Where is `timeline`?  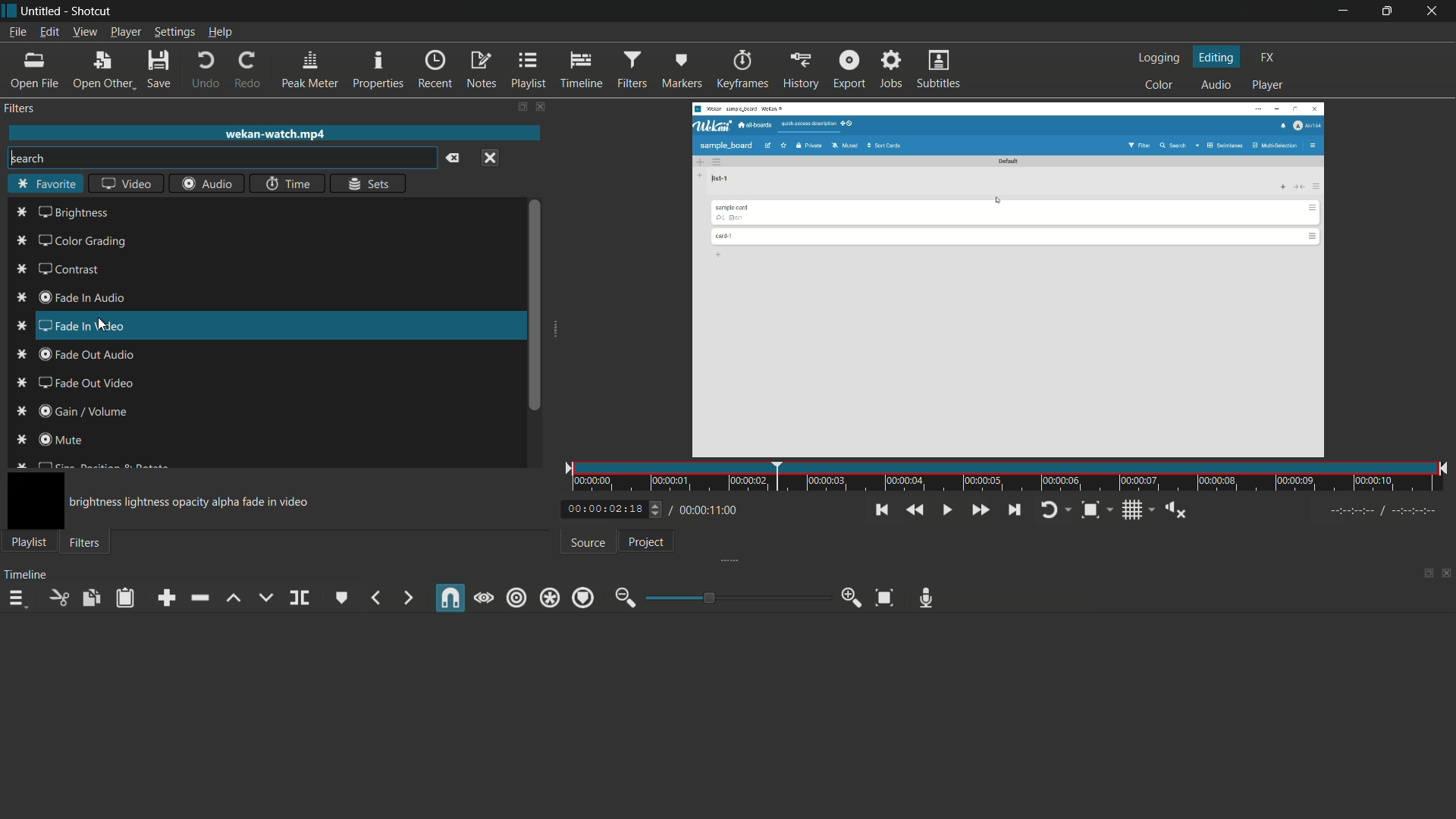 timeline is located at coordinates (26, 575).